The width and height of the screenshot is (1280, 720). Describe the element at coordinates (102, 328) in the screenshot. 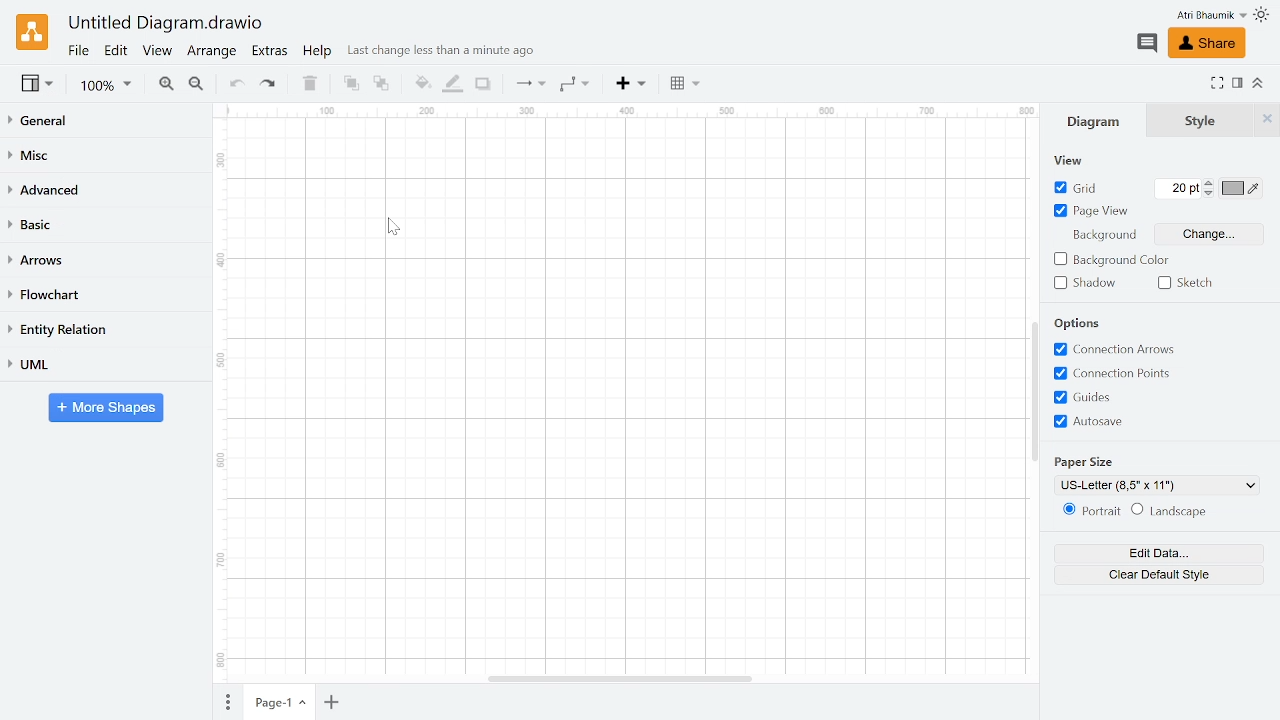

I see `Entity relation` at that location.